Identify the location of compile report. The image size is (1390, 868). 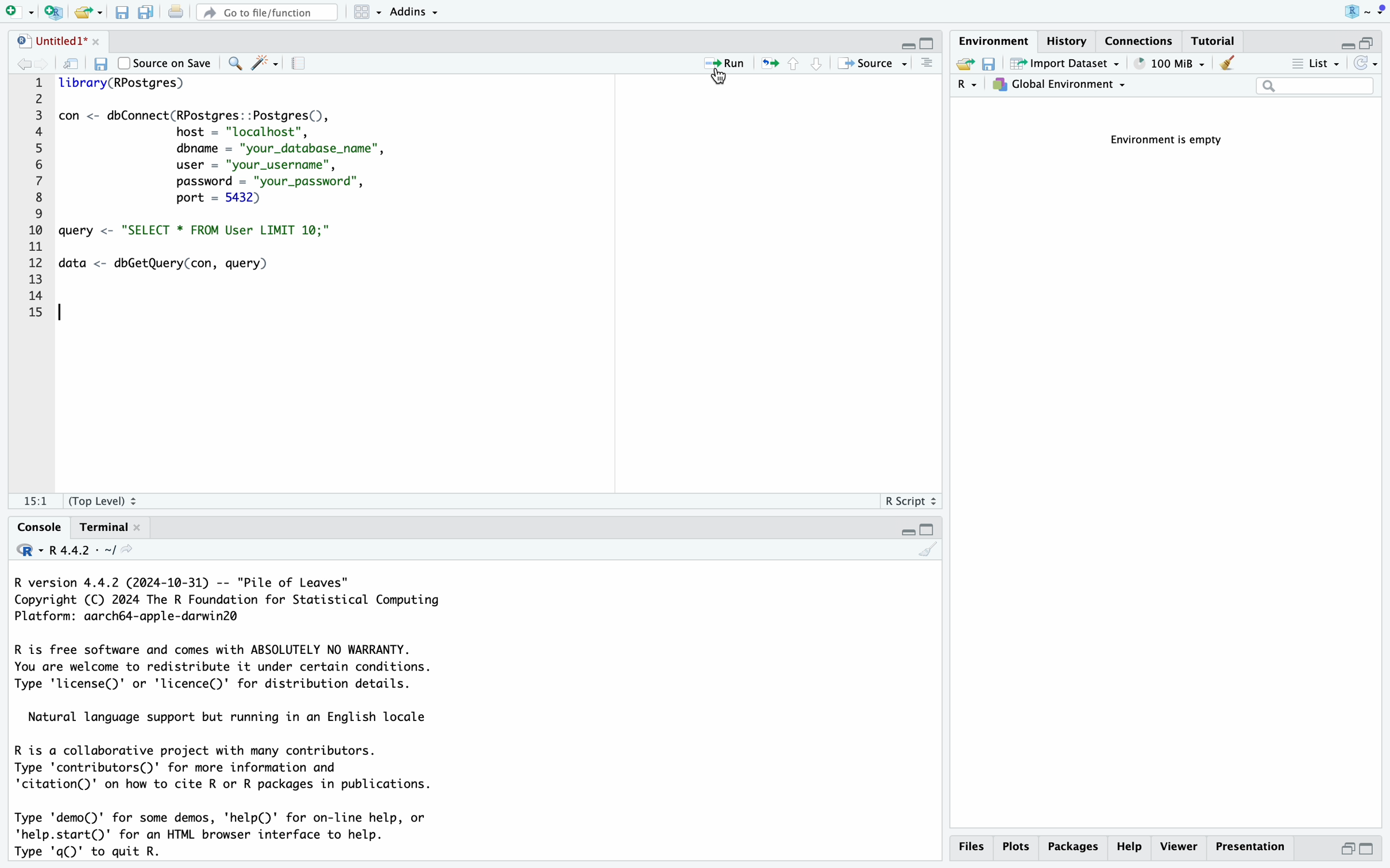
(304, 64).